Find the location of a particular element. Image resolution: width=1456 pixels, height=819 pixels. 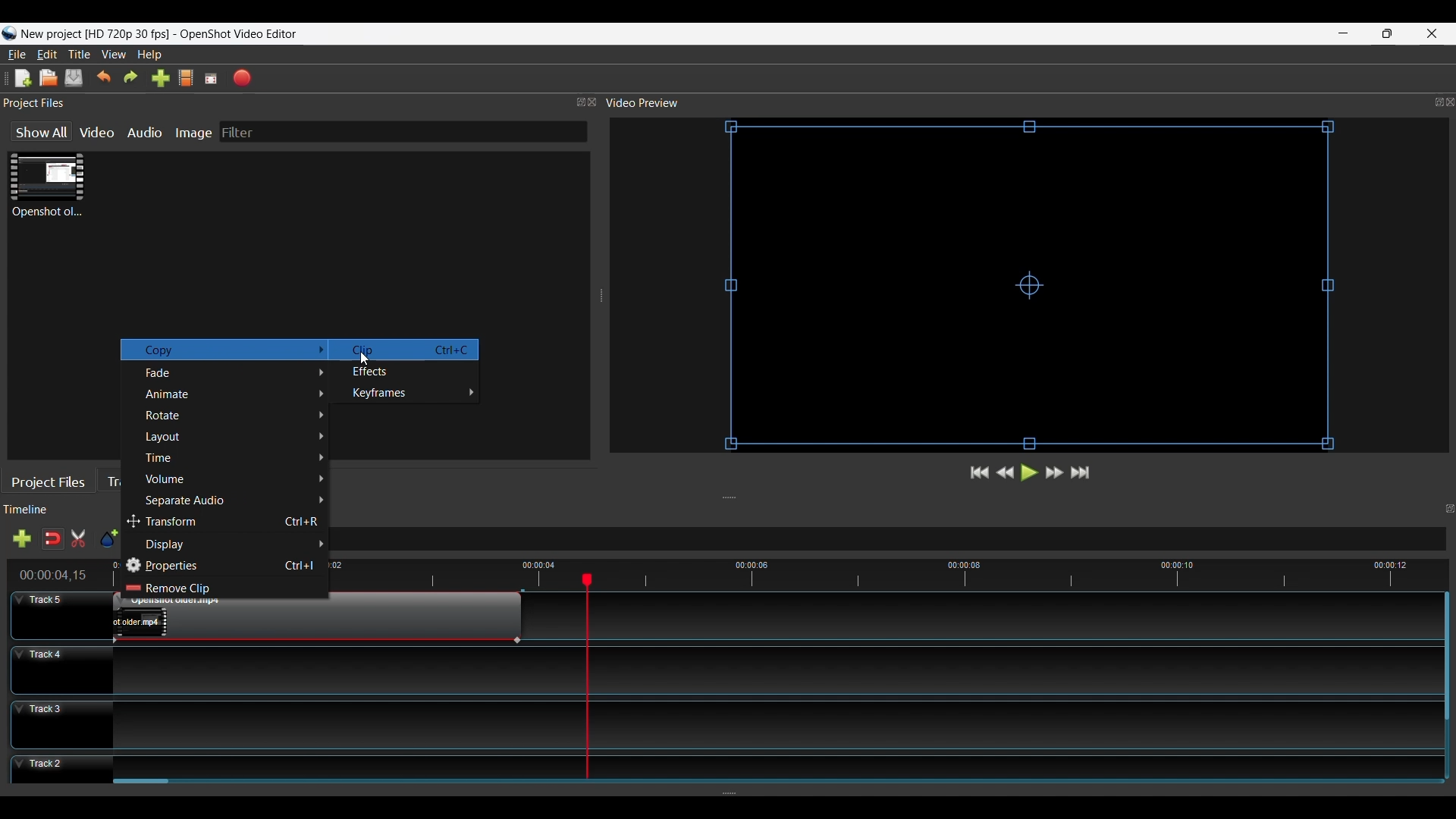

Save File is located at coordinates (75, 79).